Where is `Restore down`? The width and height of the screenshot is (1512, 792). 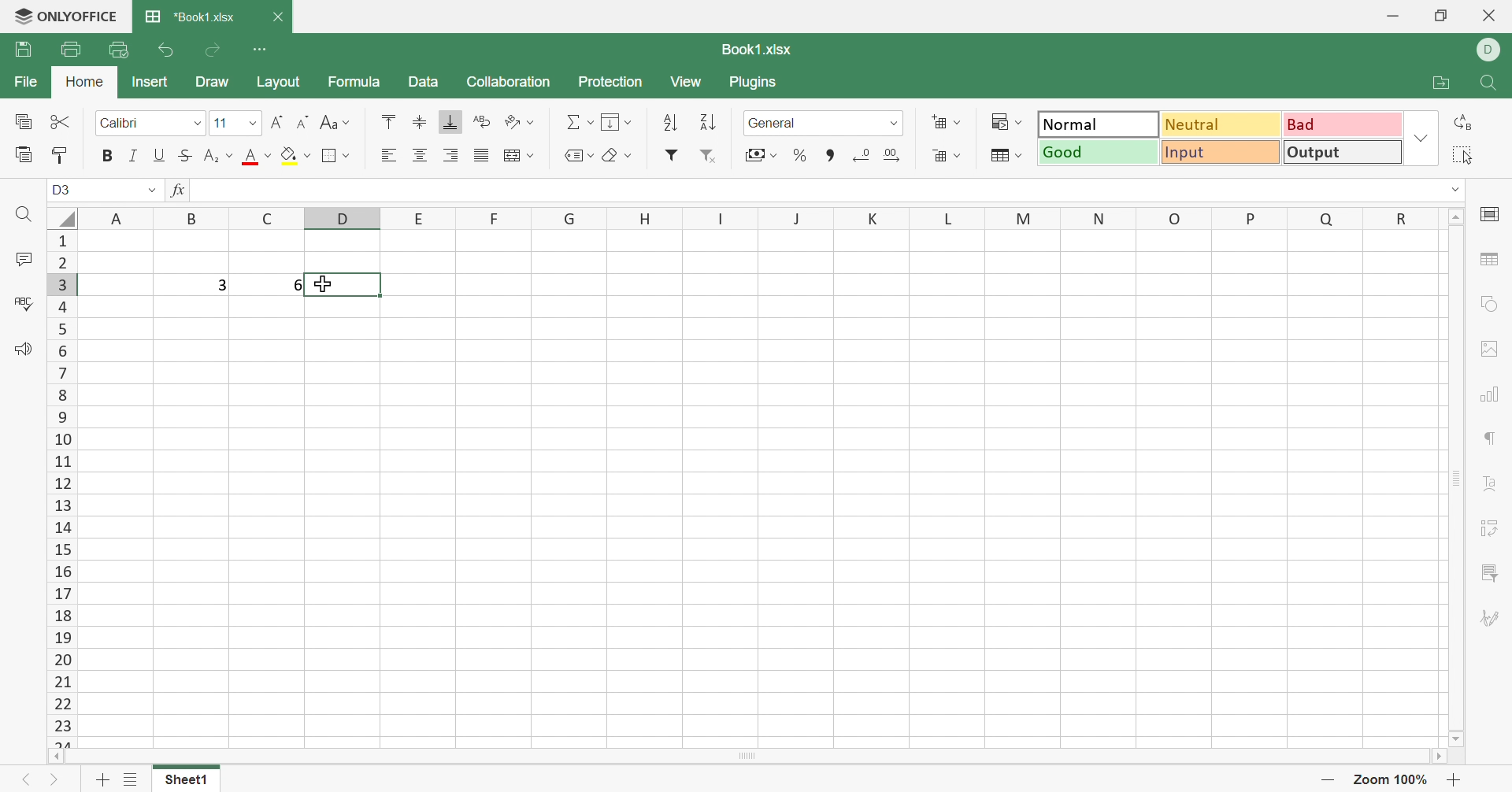
Restore down is located at coordinates (1446, 15).